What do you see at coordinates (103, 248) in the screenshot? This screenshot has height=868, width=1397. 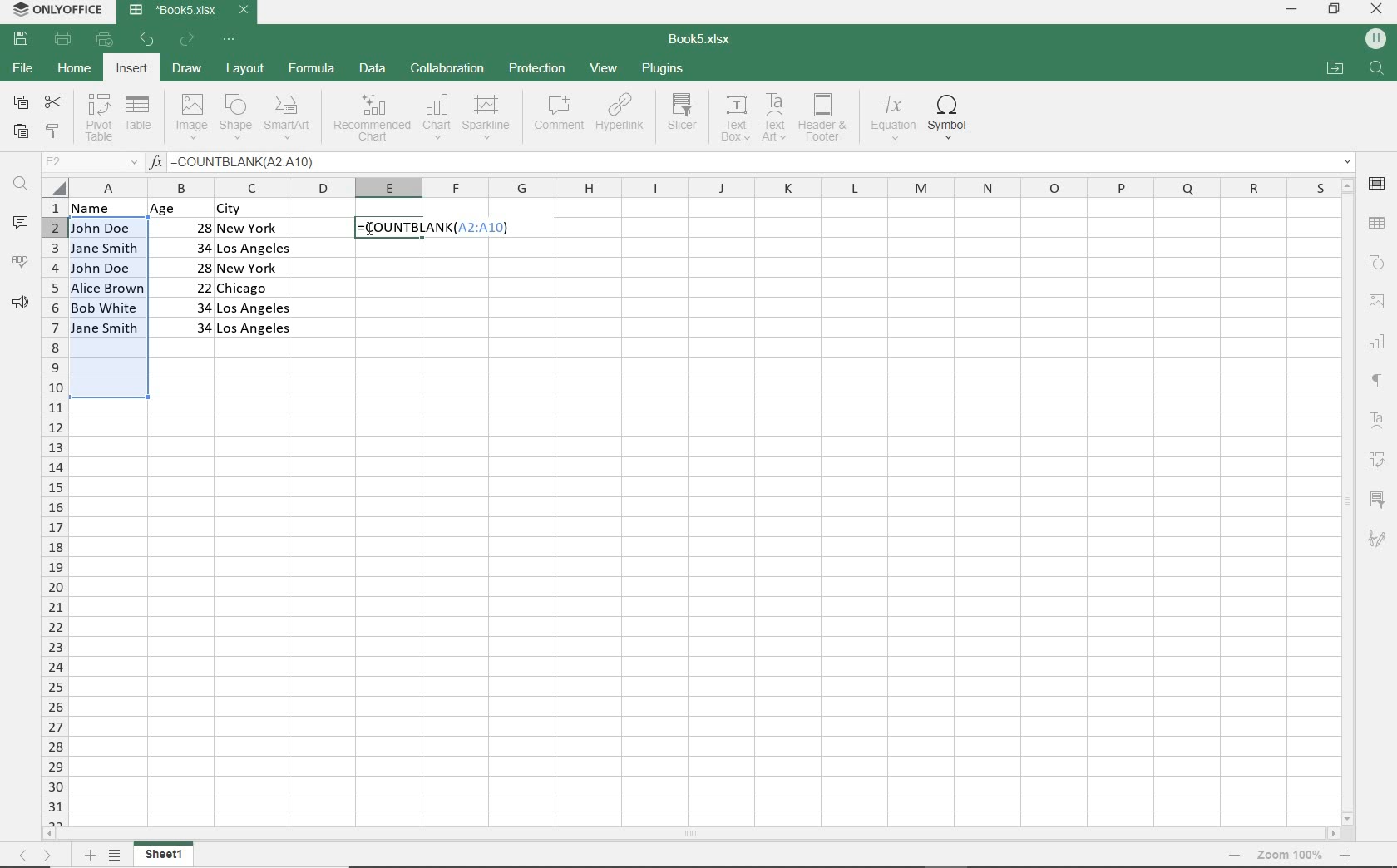 I see `Jane Smith` at bounding box center [103, 248].